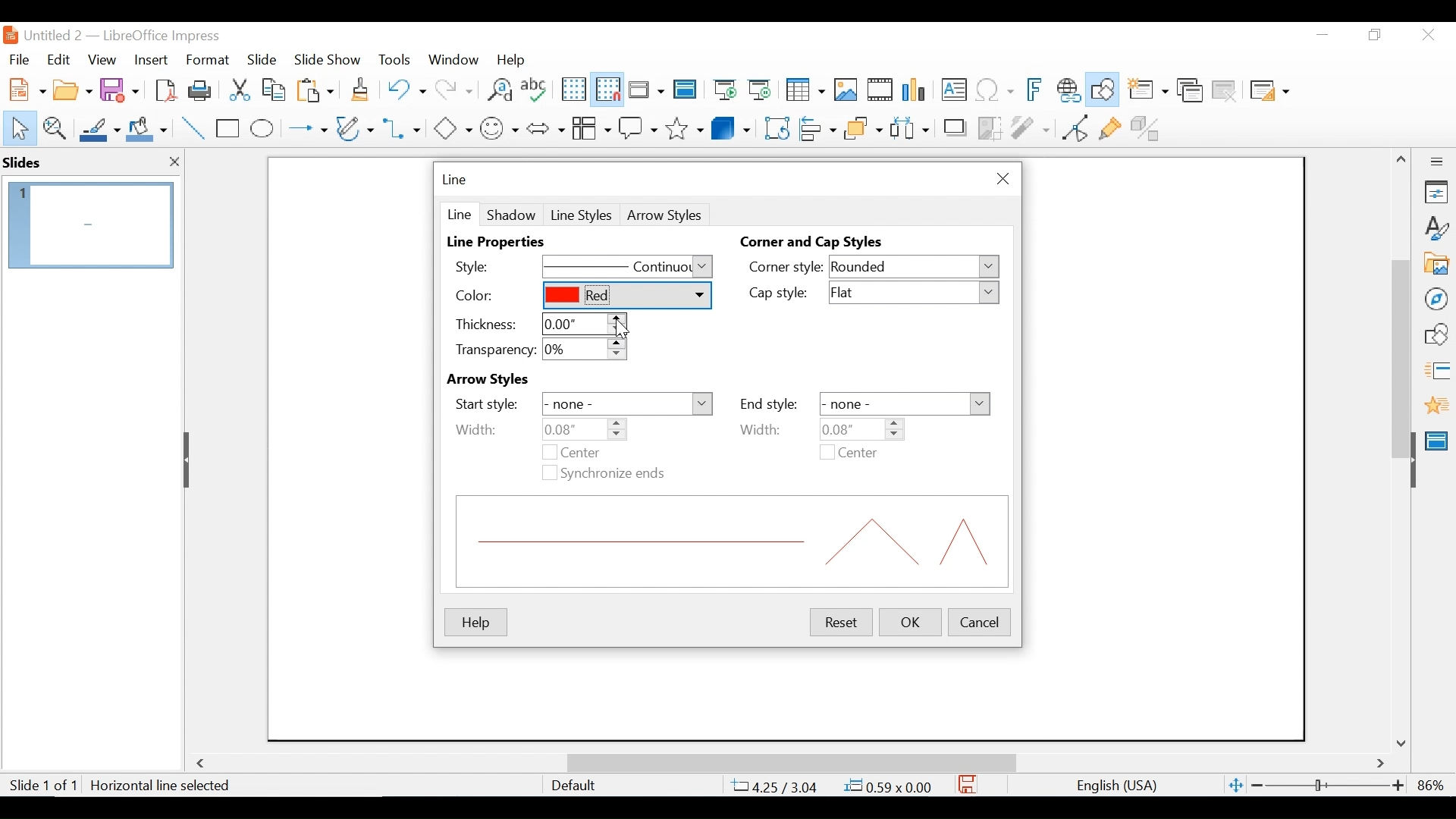  I want to click on o.oo", so click(582, 324).